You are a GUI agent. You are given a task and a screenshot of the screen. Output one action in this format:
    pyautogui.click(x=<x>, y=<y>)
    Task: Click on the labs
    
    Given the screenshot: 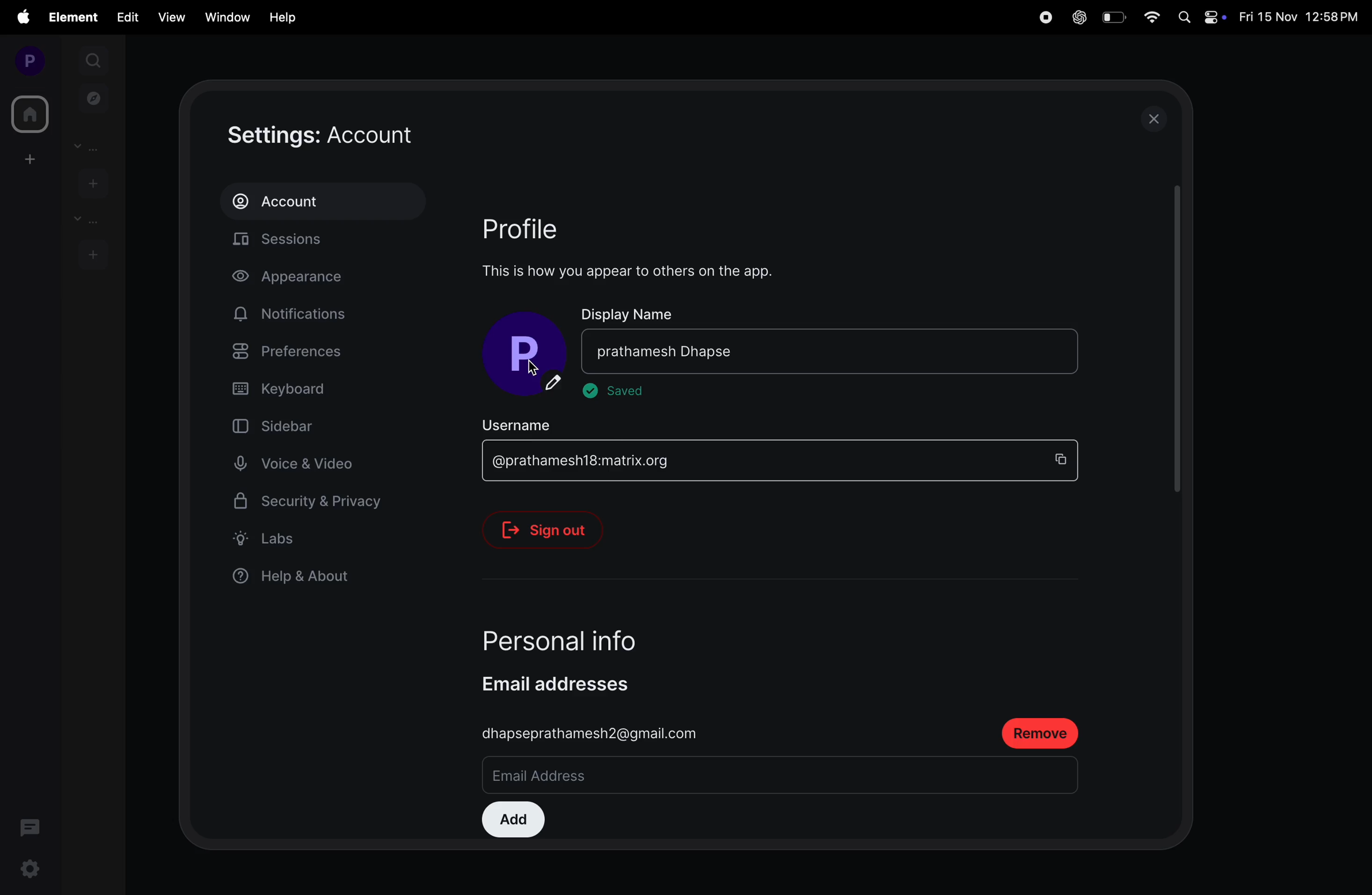 What is the action you would take?
    pyautogui.click(x=308, y=538)
    